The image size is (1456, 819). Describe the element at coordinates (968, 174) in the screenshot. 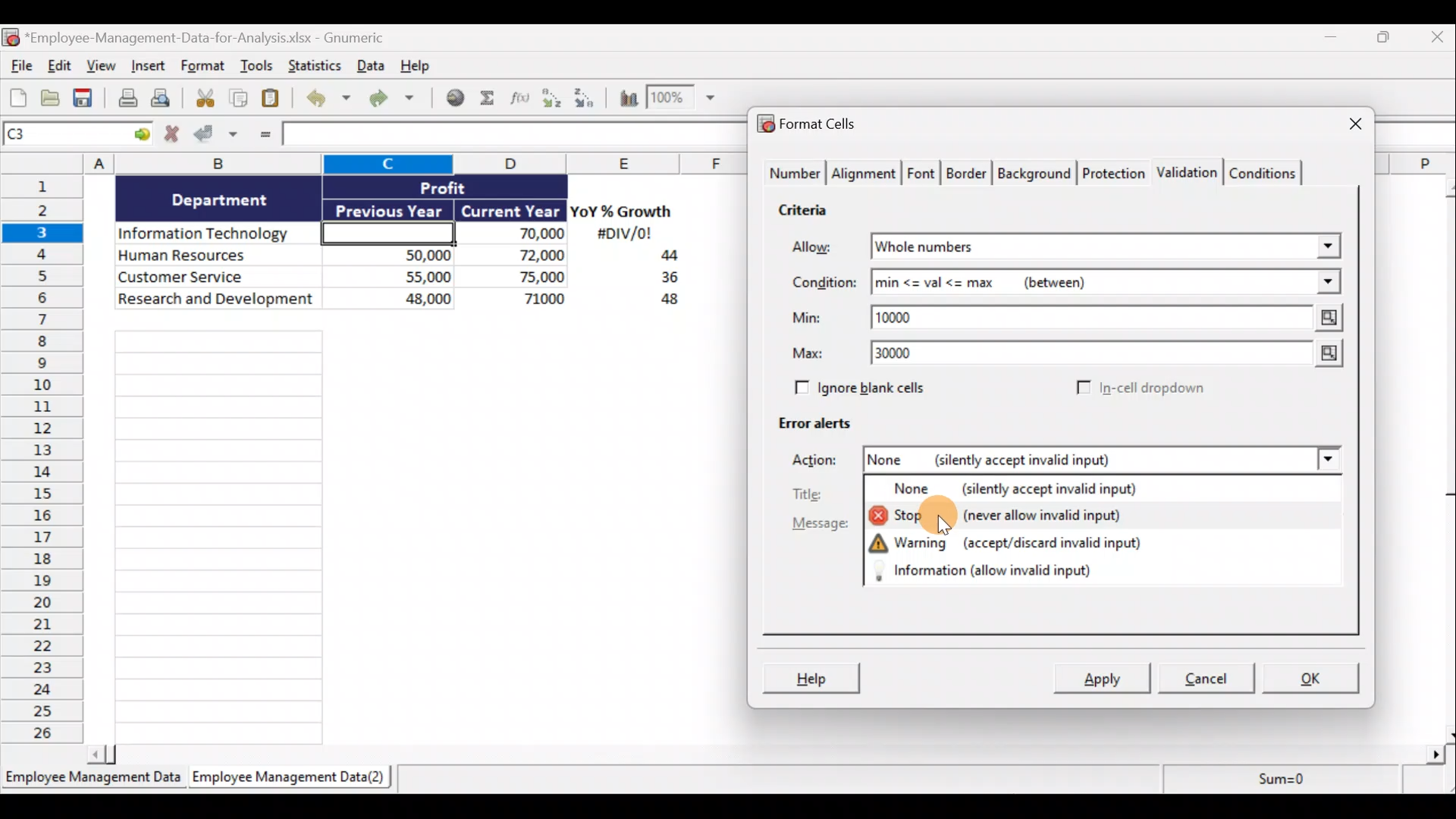

I see `Border` at that location.